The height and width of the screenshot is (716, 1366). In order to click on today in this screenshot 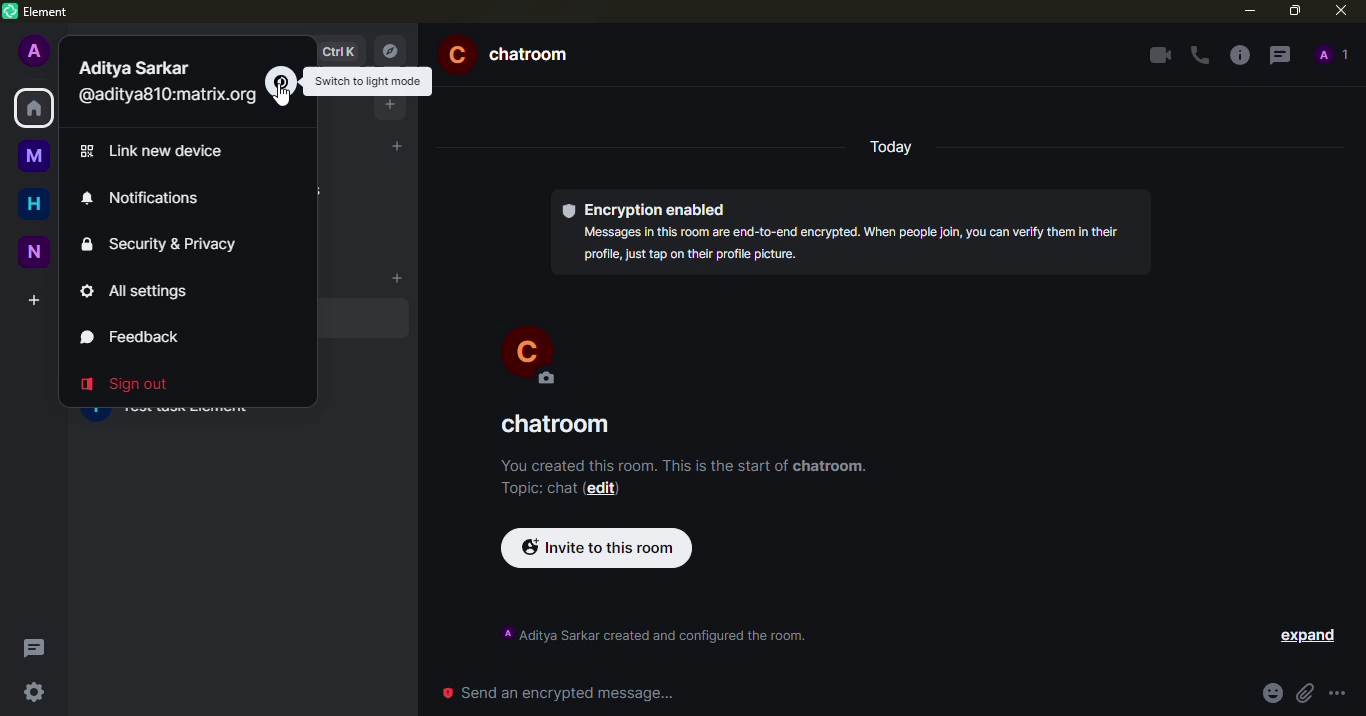, I will do `click(898, 147)`.